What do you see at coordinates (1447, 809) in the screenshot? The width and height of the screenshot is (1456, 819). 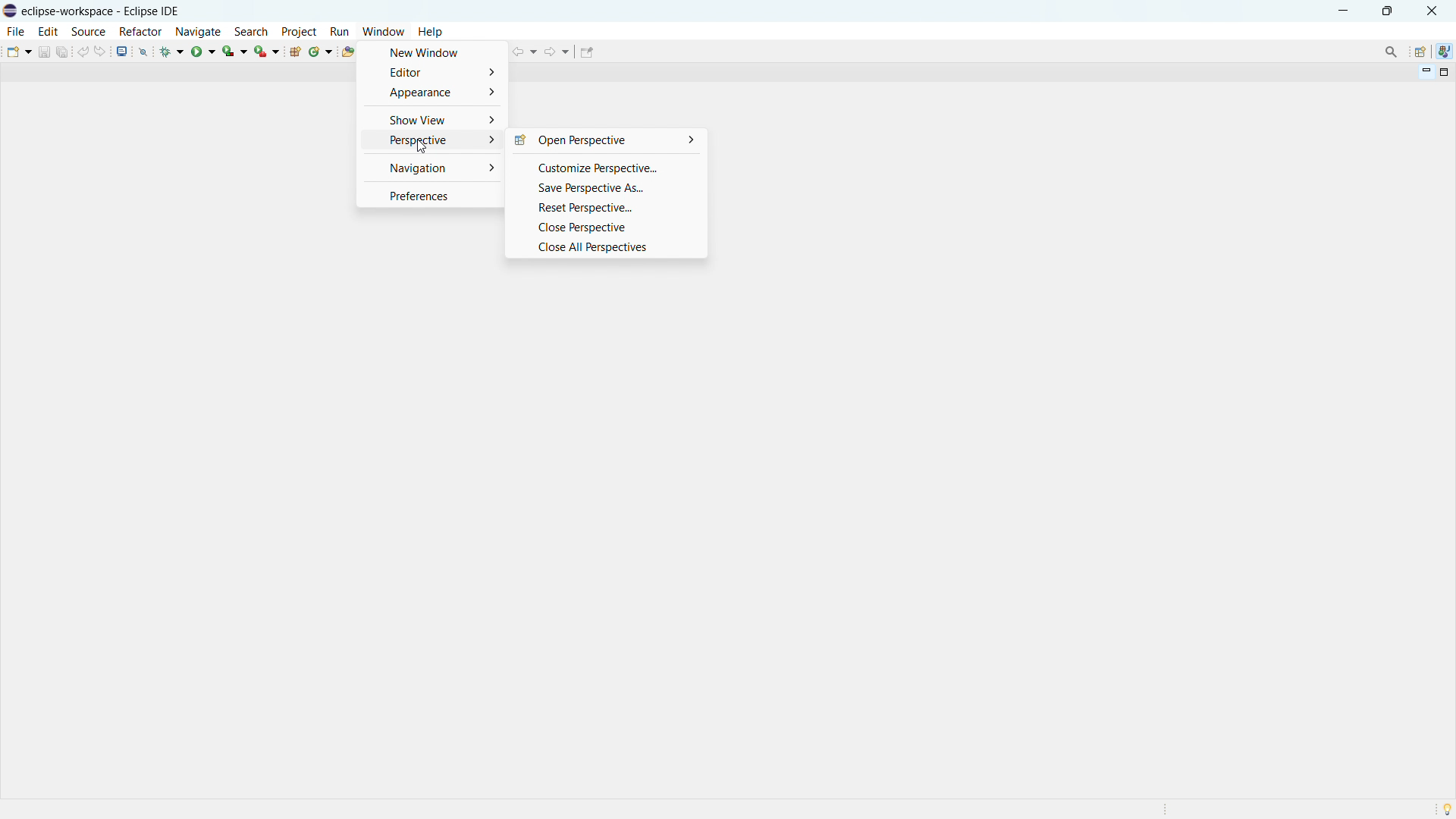 I see `tip of the day` at bounding box center [1447, 809].